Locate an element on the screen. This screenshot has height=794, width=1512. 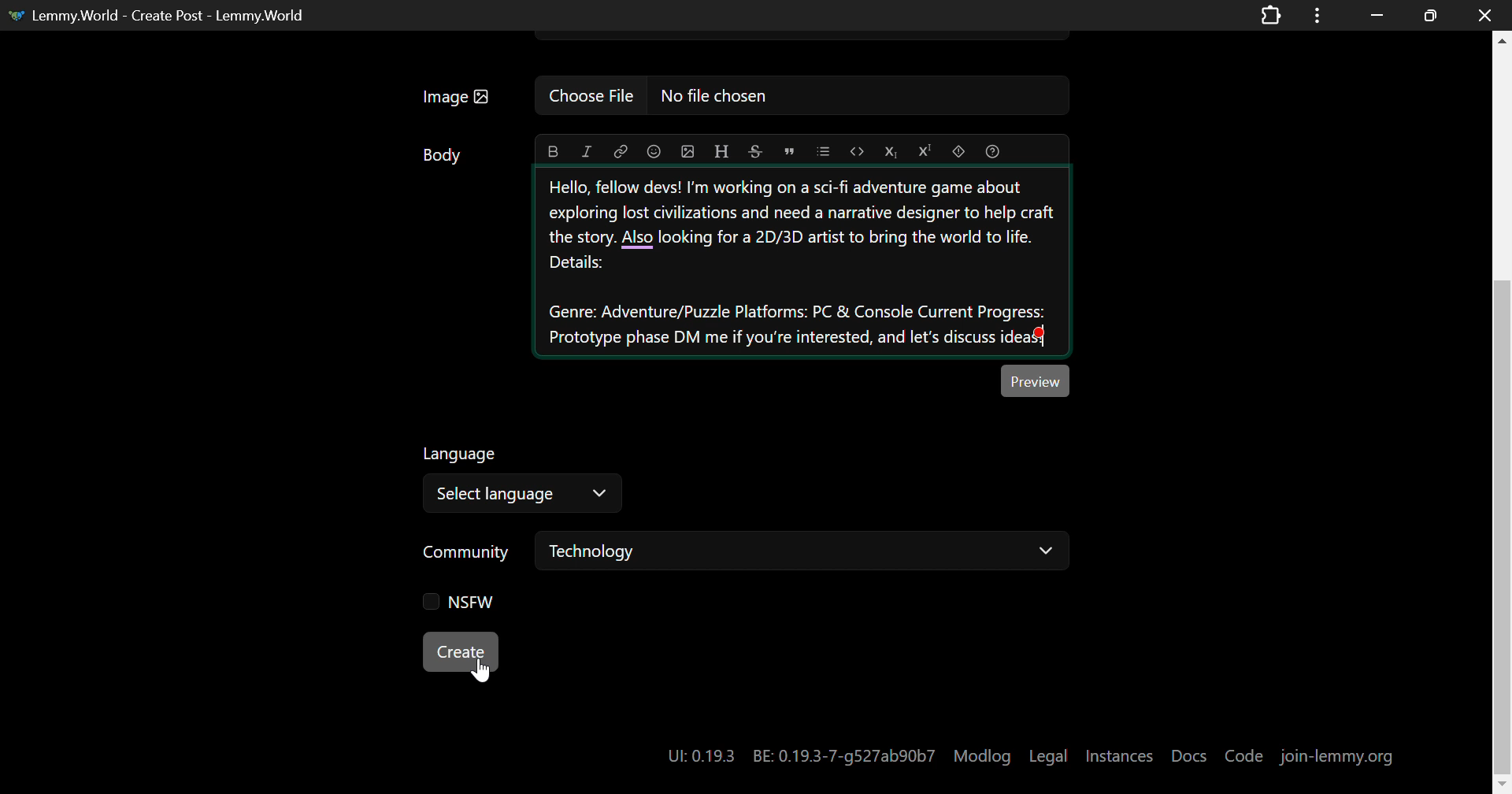
Body is located at coordinates (443, 155).